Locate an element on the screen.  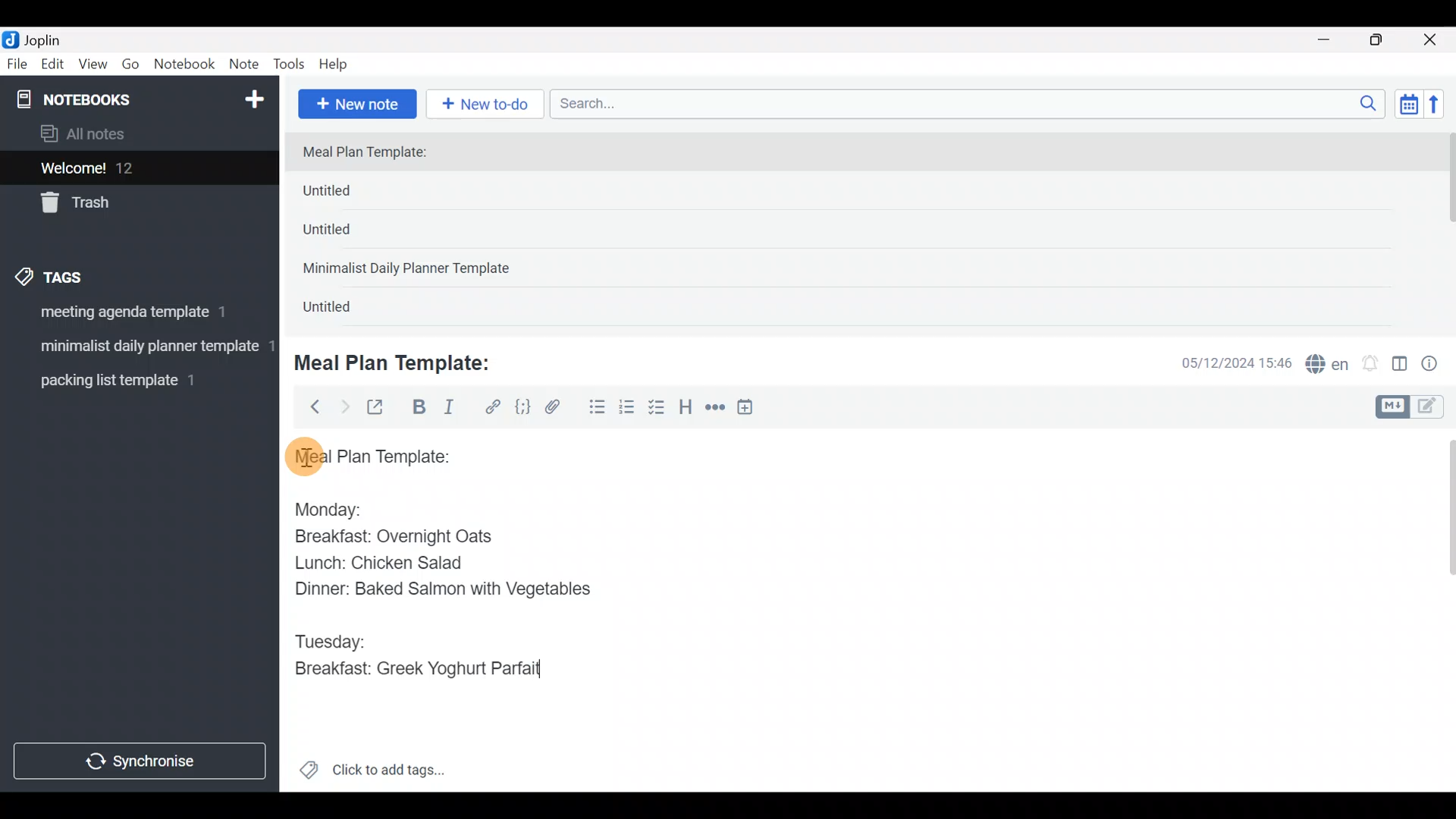
Toggle sort order is located at coordinates (1408, 105).